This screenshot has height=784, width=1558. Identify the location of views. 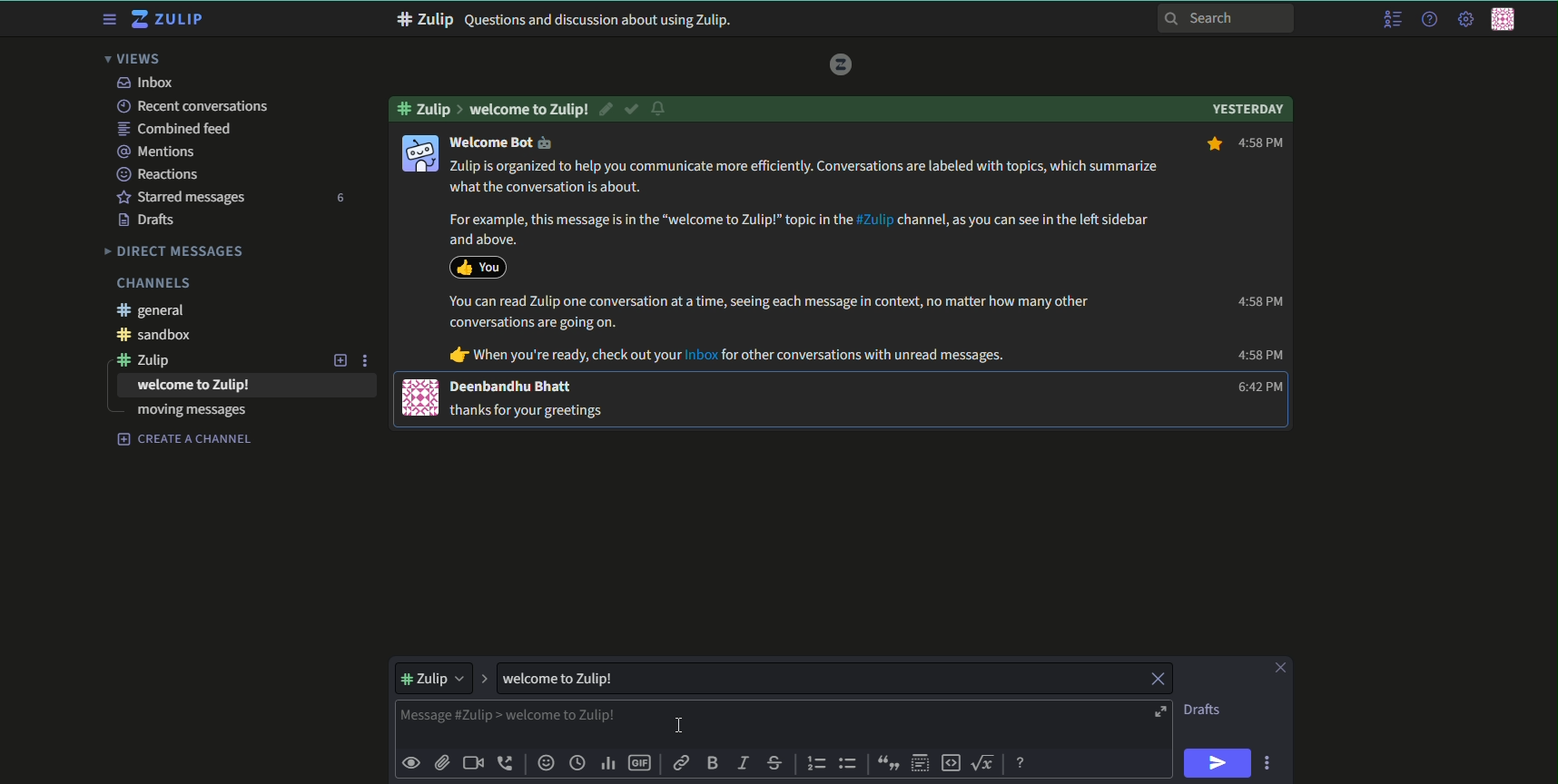
(138, 59).